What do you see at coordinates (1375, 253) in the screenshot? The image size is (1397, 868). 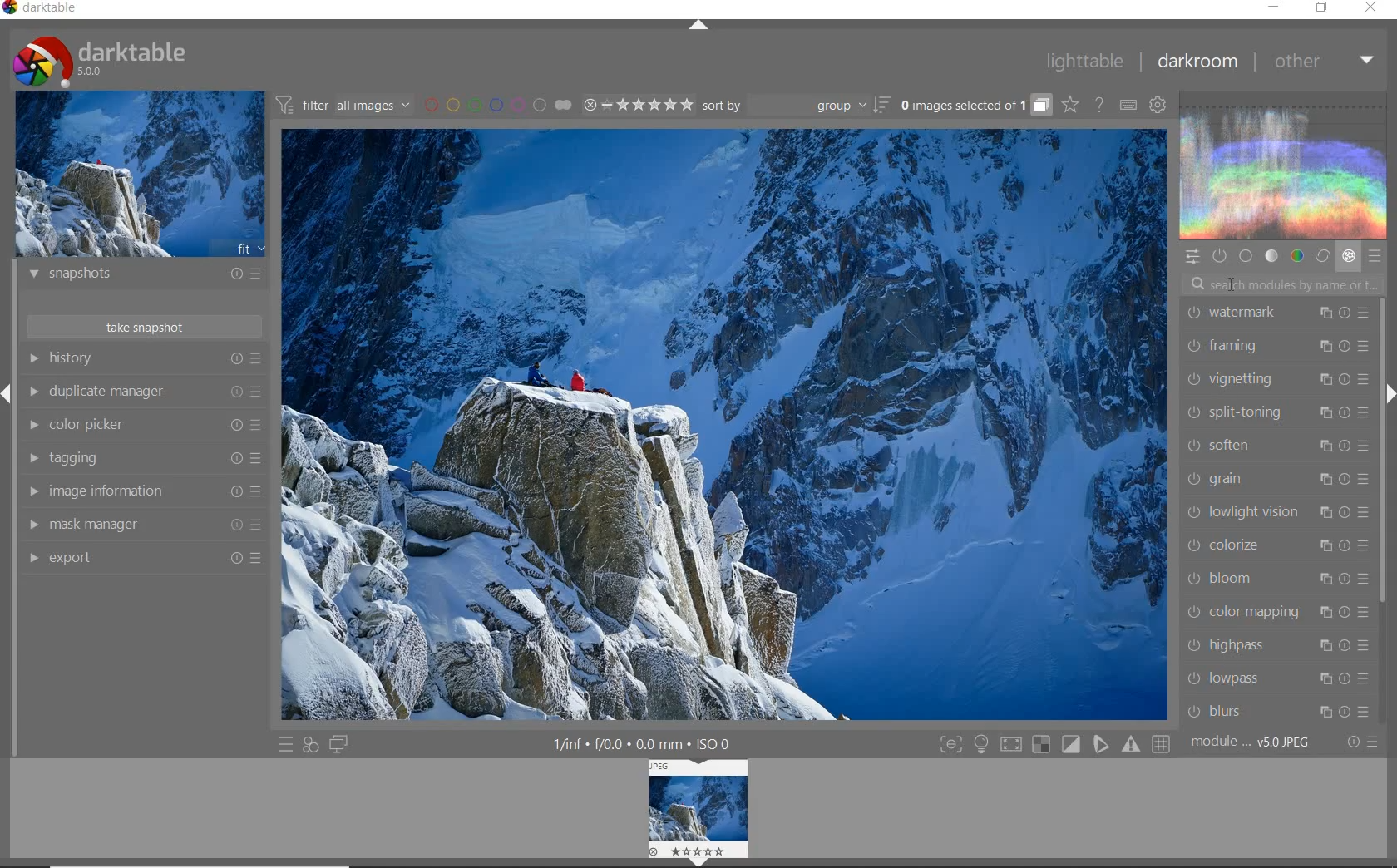 I see `presets` at bounding box center [1375, 253].